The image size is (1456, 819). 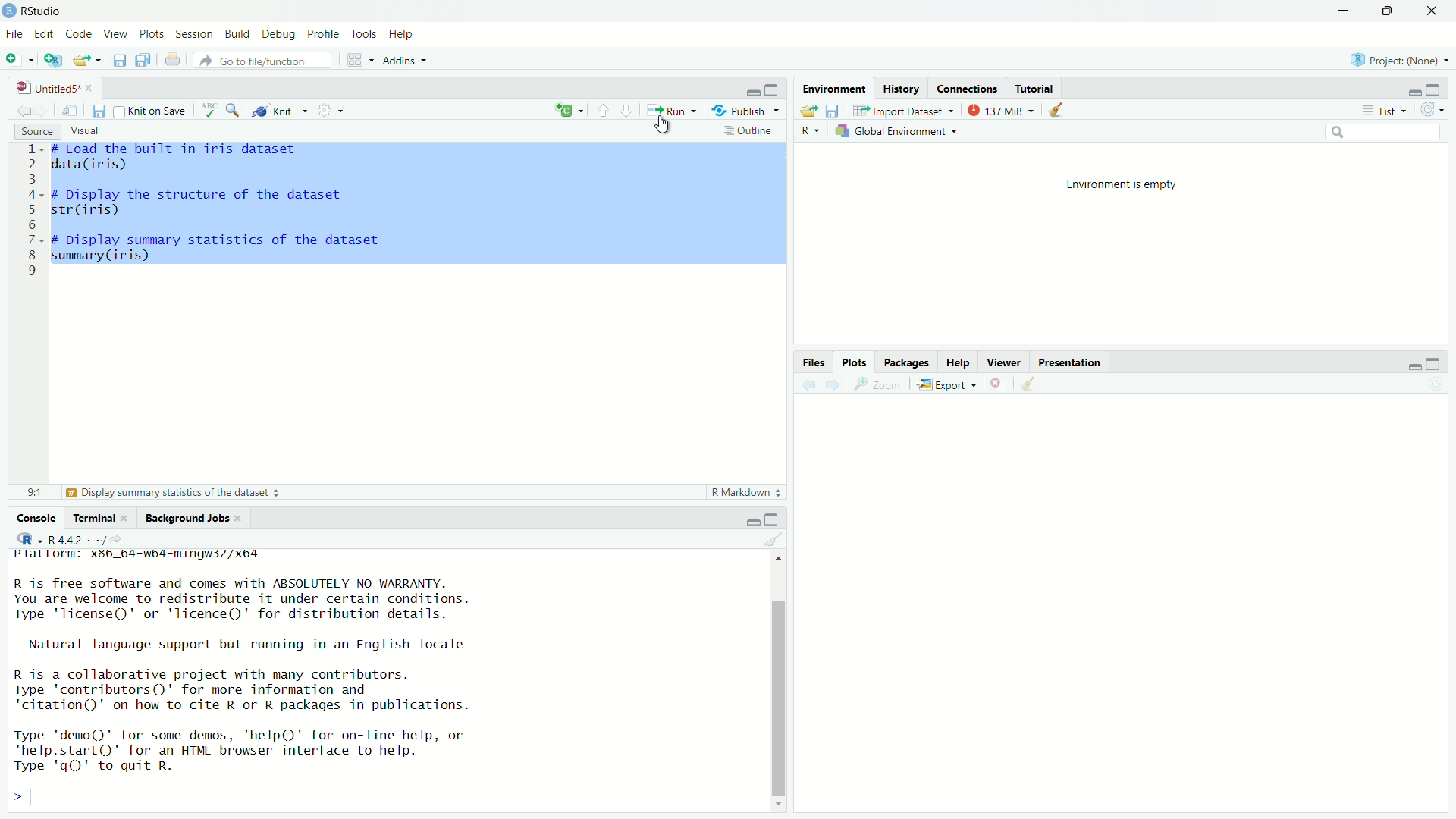 I want to click on Profile, so click(x=325, y=33).